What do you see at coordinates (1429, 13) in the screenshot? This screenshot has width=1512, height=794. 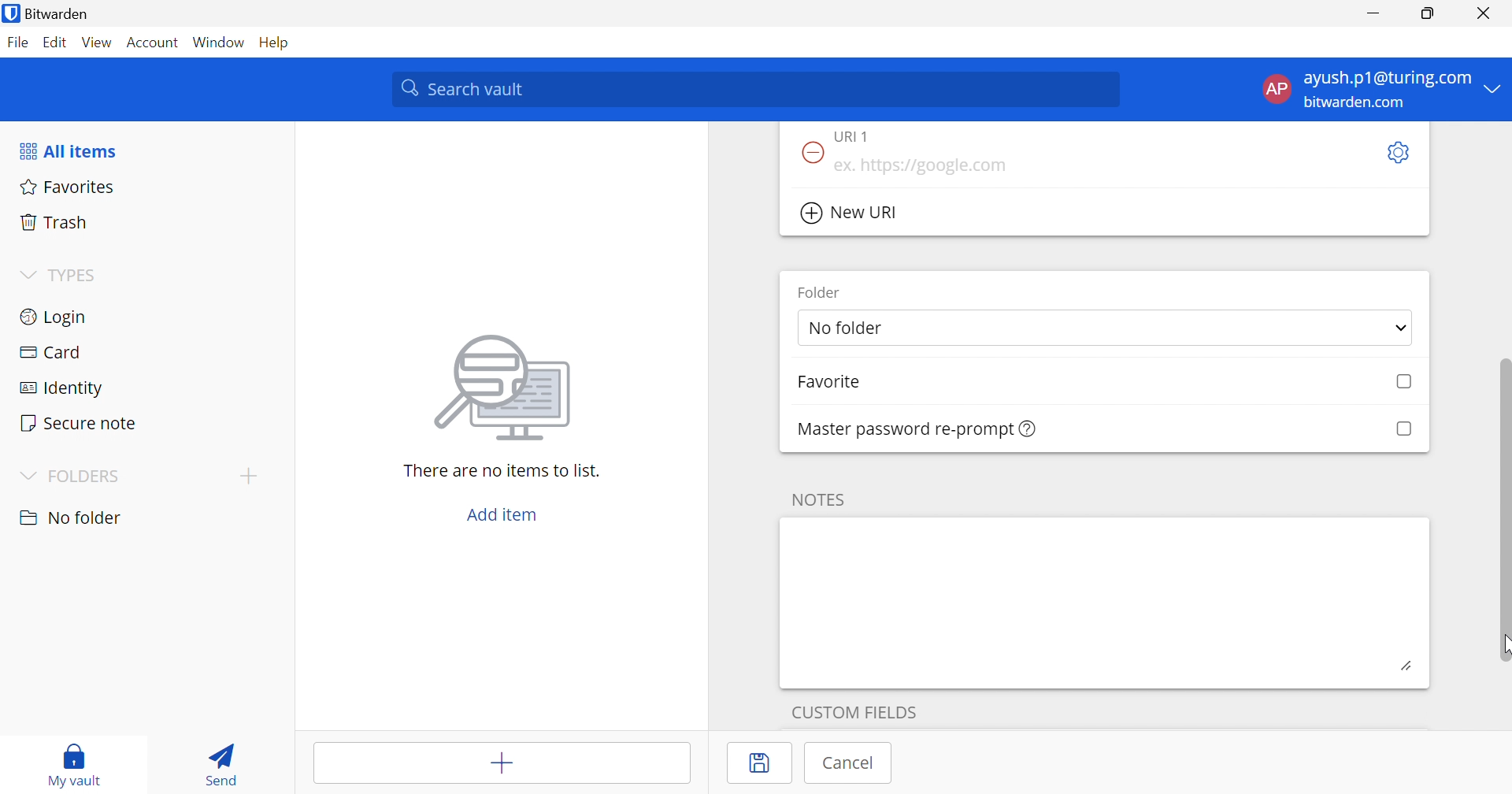 I see `Restore Down` at bounding box center [1429, 13].